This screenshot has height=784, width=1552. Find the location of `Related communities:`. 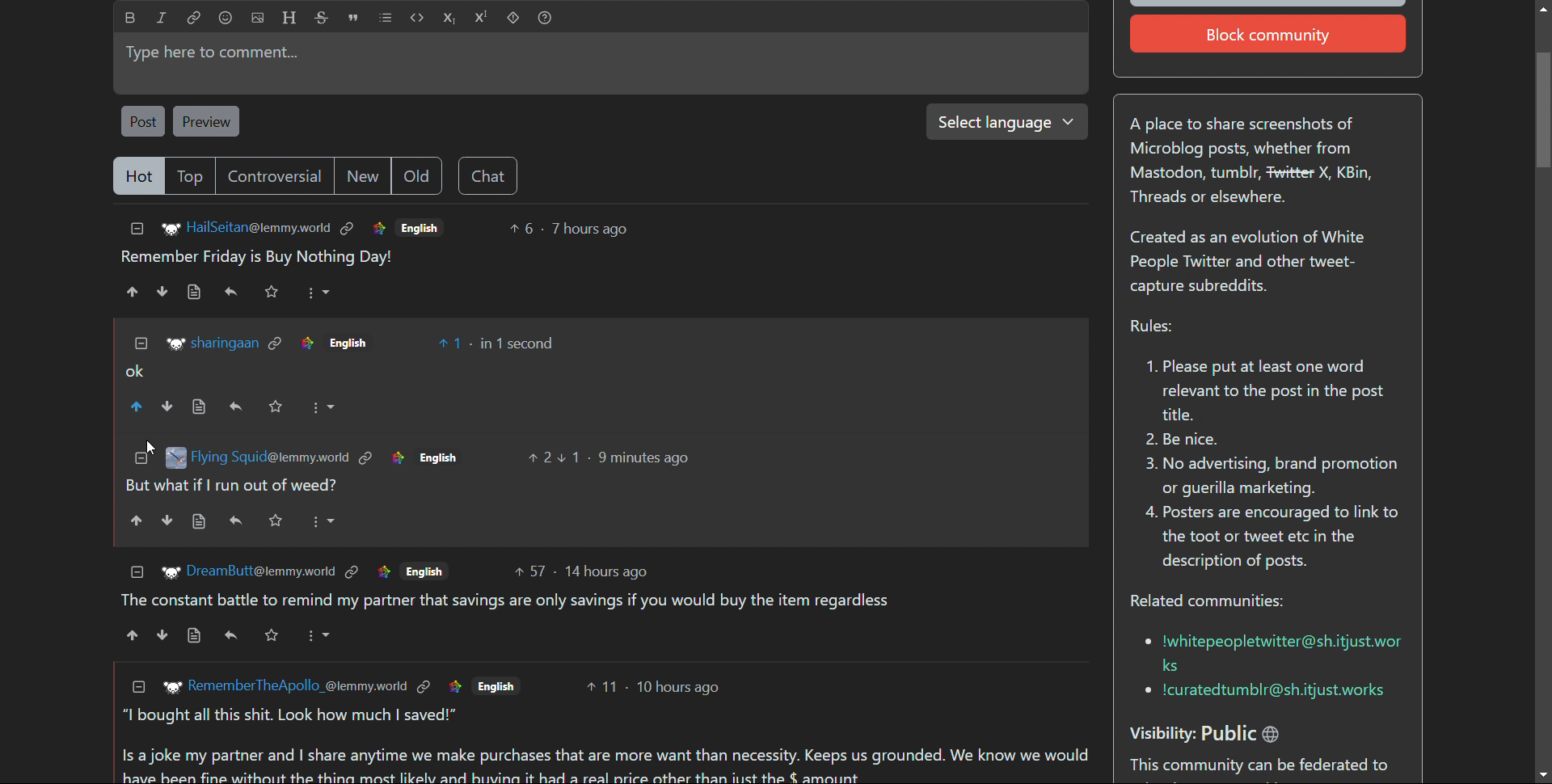

Related communities: is located at coordinates (1217, 602).